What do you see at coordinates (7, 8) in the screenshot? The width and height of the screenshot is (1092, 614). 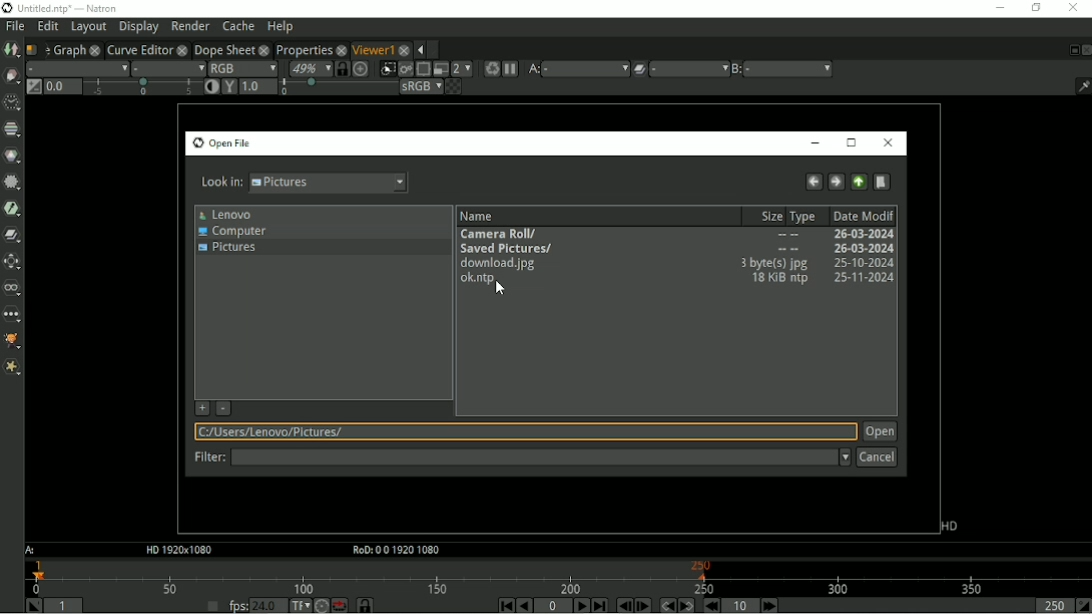 I see `logo` at bounding box center [7, 8].